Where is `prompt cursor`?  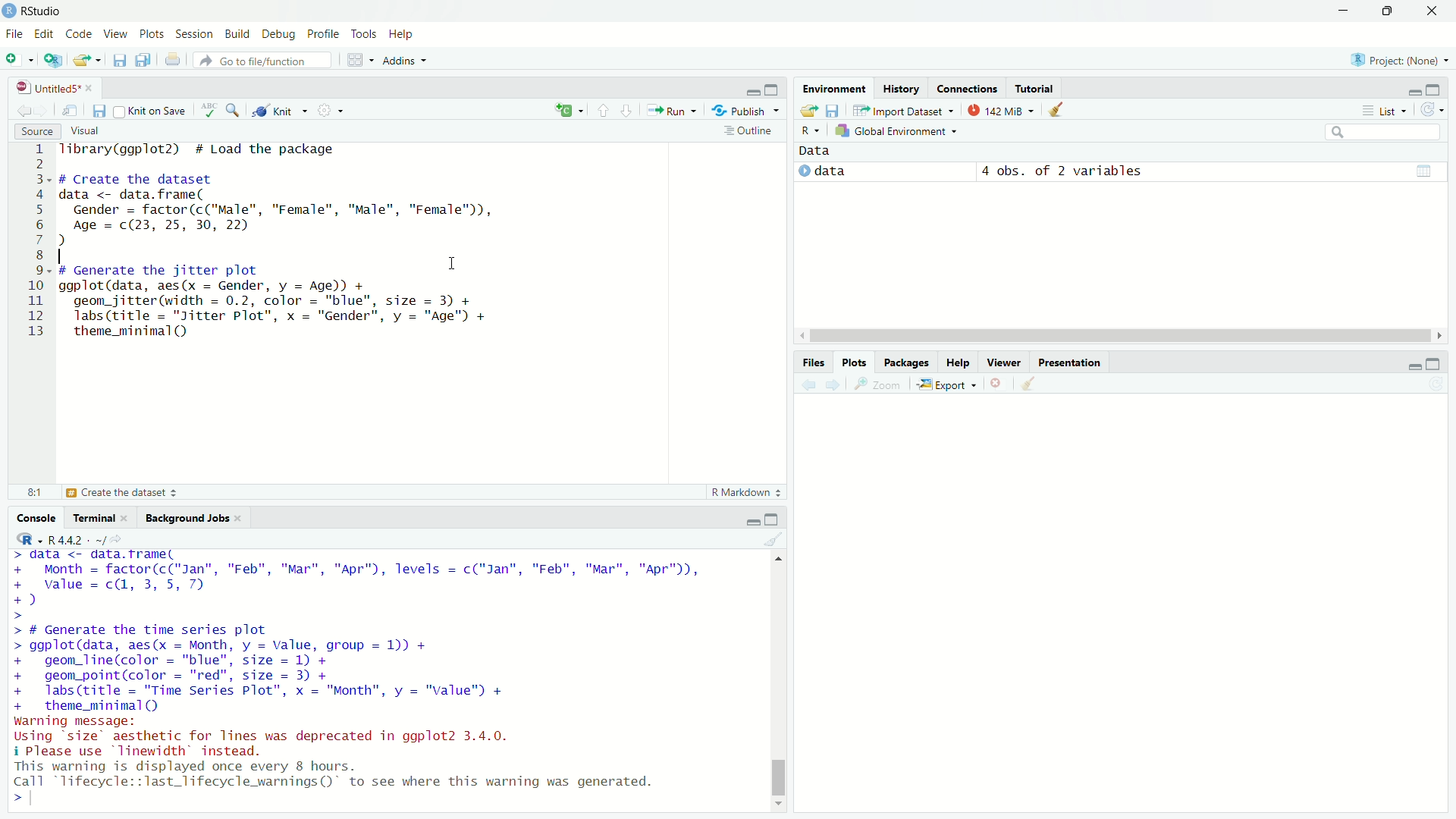
prompt cursor is located at coordinates (13, 804).